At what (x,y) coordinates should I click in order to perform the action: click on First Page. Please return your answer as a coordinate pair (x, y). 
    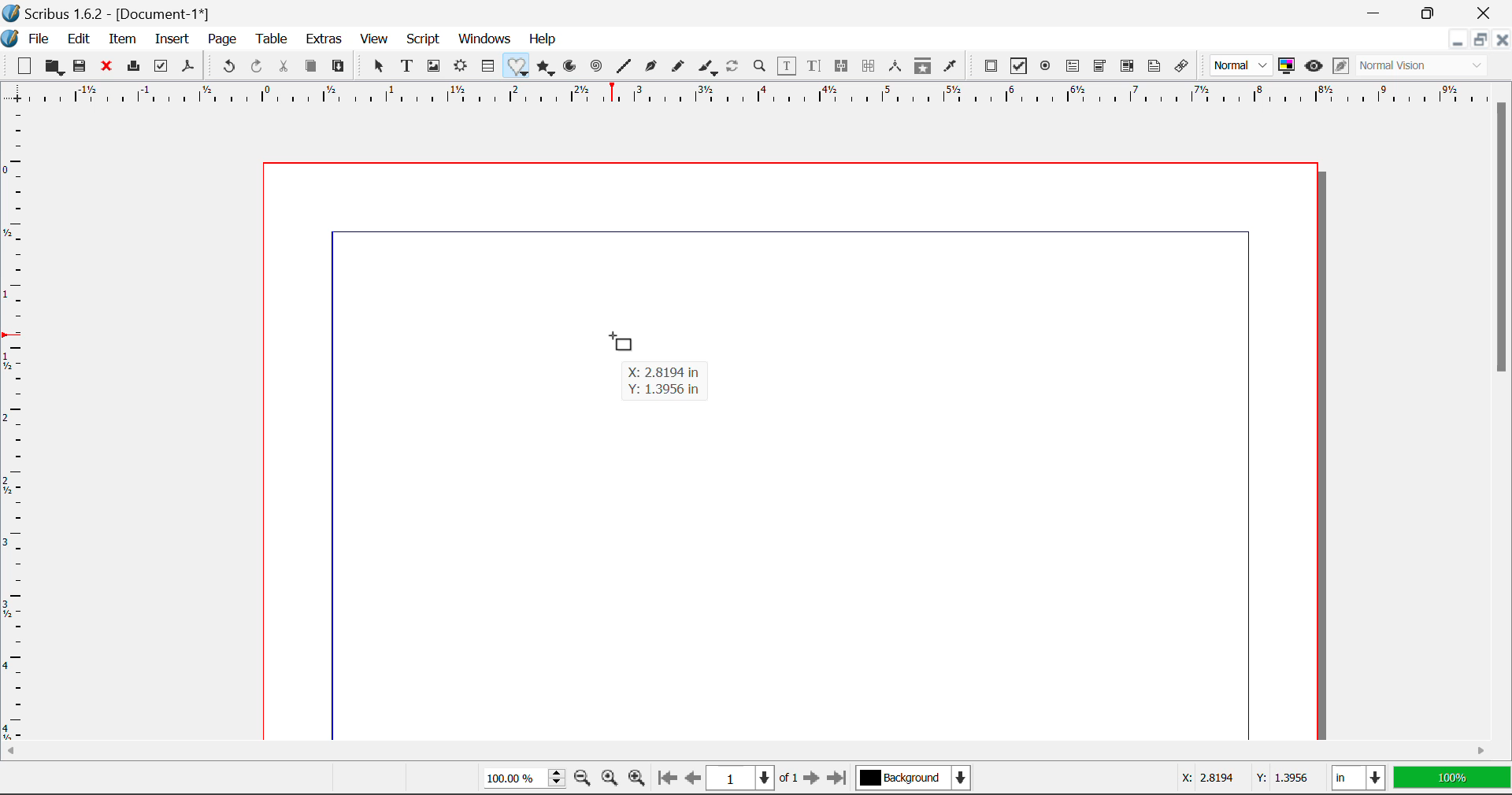
    Looking at the image, I should click on (667, 778).